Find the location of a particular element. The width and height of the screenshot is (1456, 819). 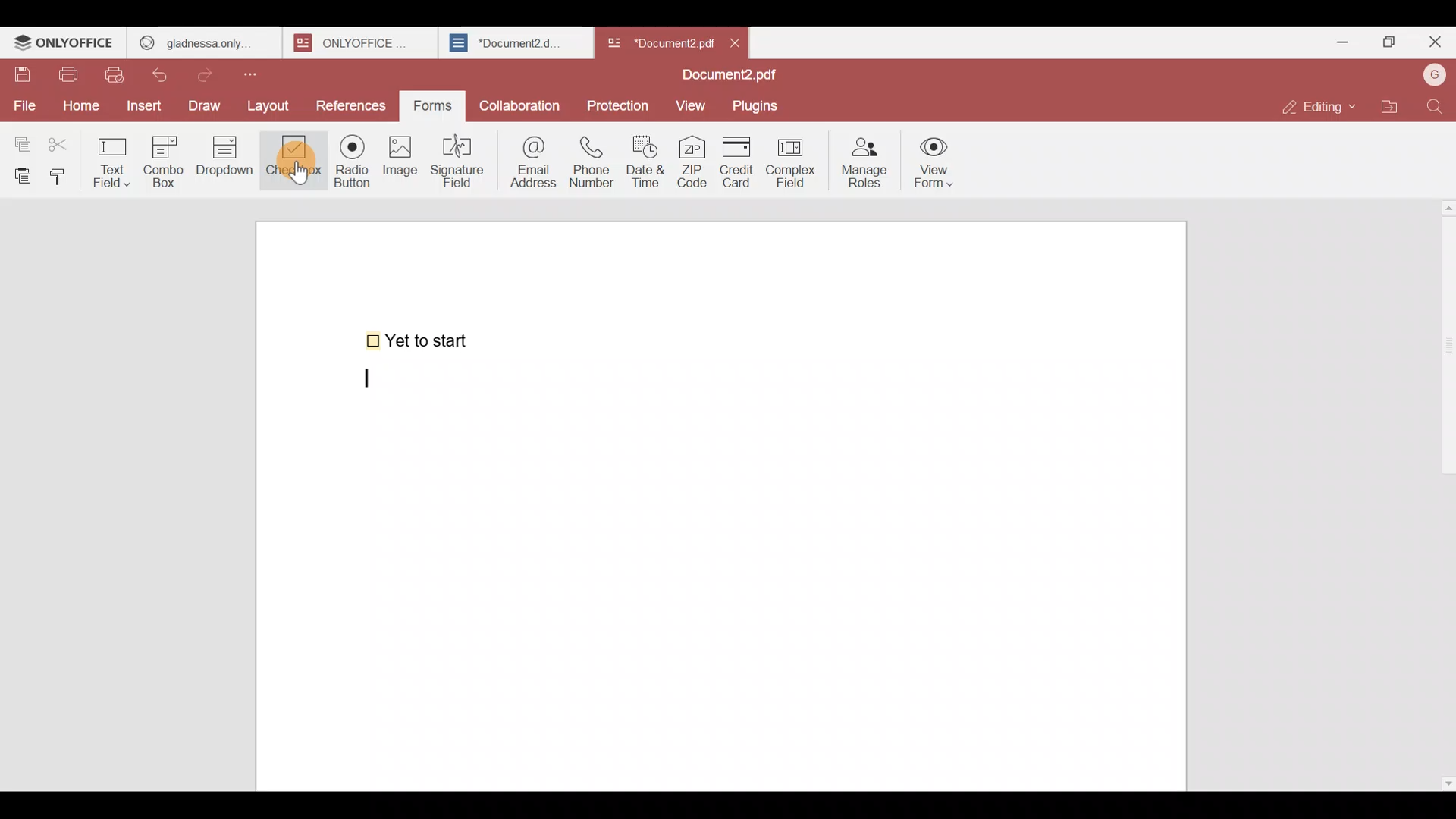

Date & time is located at coordinates (649, 162).